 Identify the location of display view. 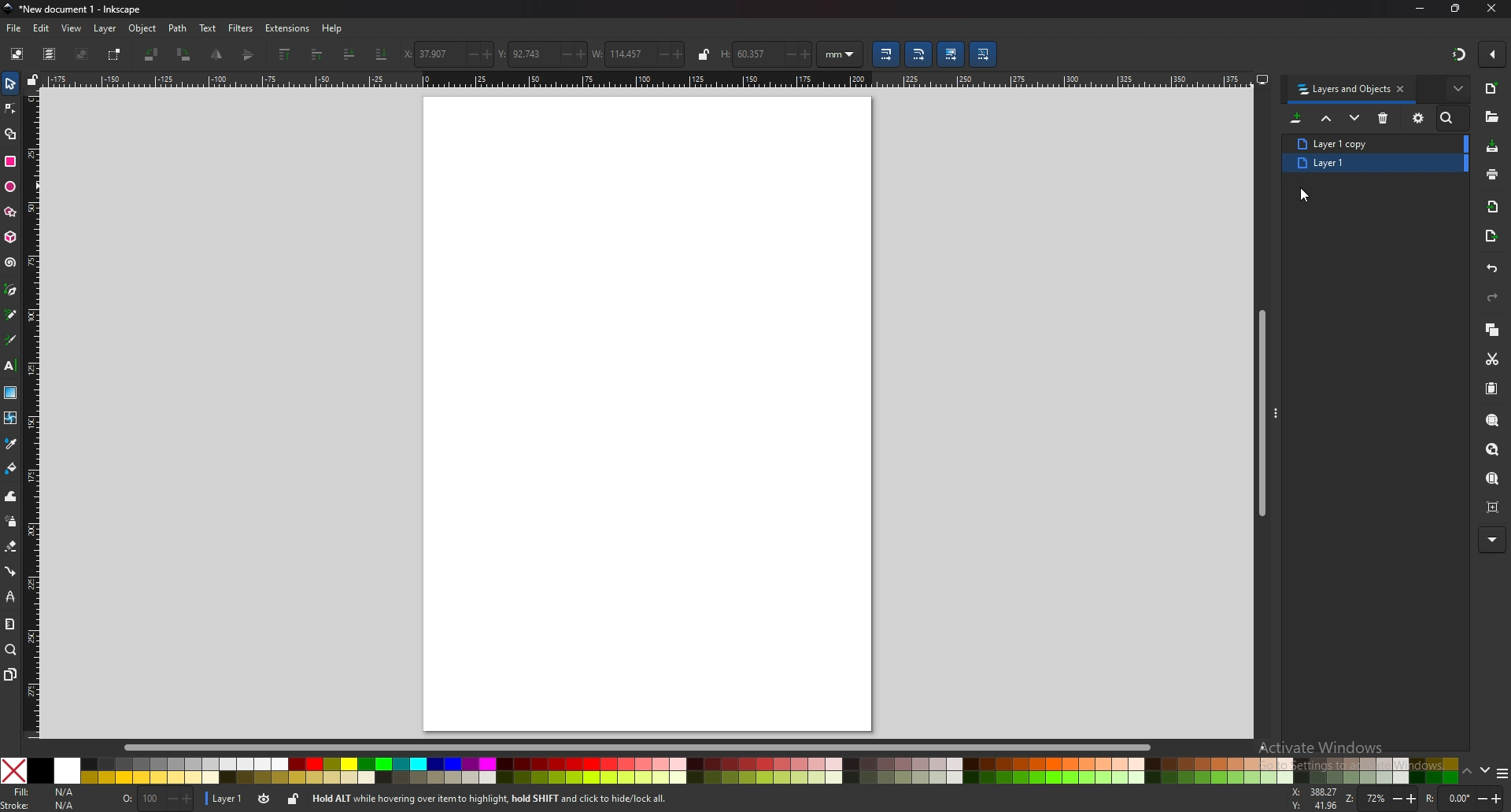
(1262, 79).